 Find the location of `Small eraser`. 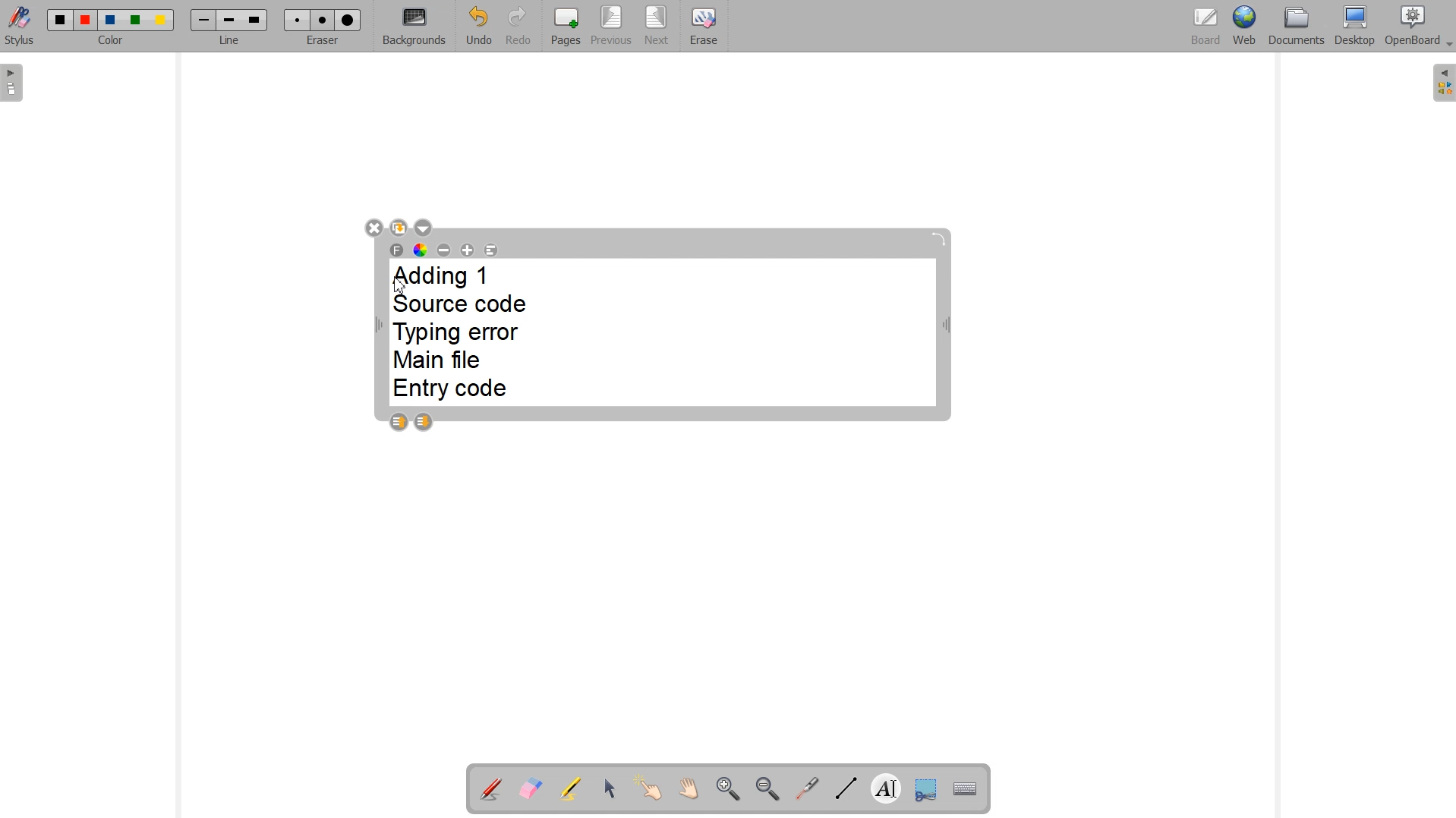

Small eraser is located at coordinates (298, 20).